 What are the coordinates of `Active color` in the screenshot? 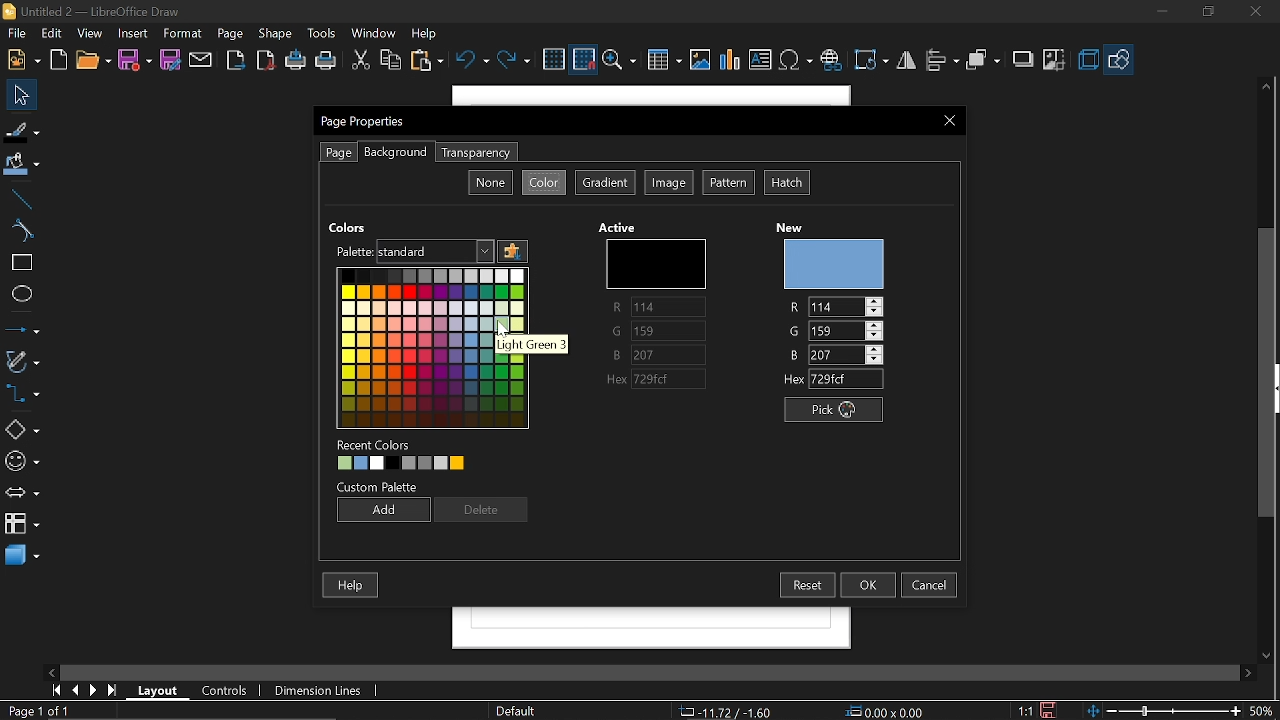 It's located at (652, 263).